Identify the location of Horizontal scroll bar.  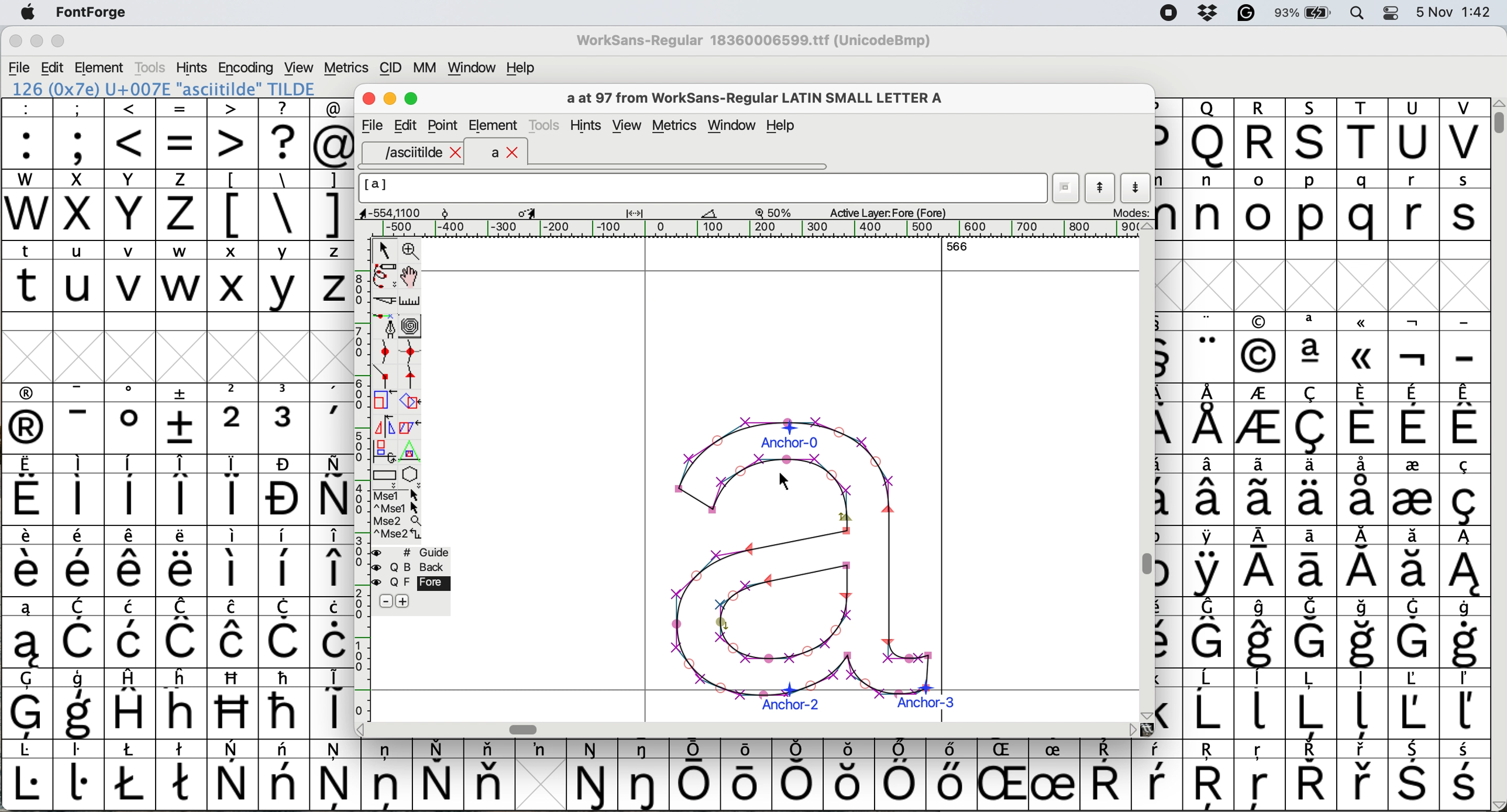
(526, 730).